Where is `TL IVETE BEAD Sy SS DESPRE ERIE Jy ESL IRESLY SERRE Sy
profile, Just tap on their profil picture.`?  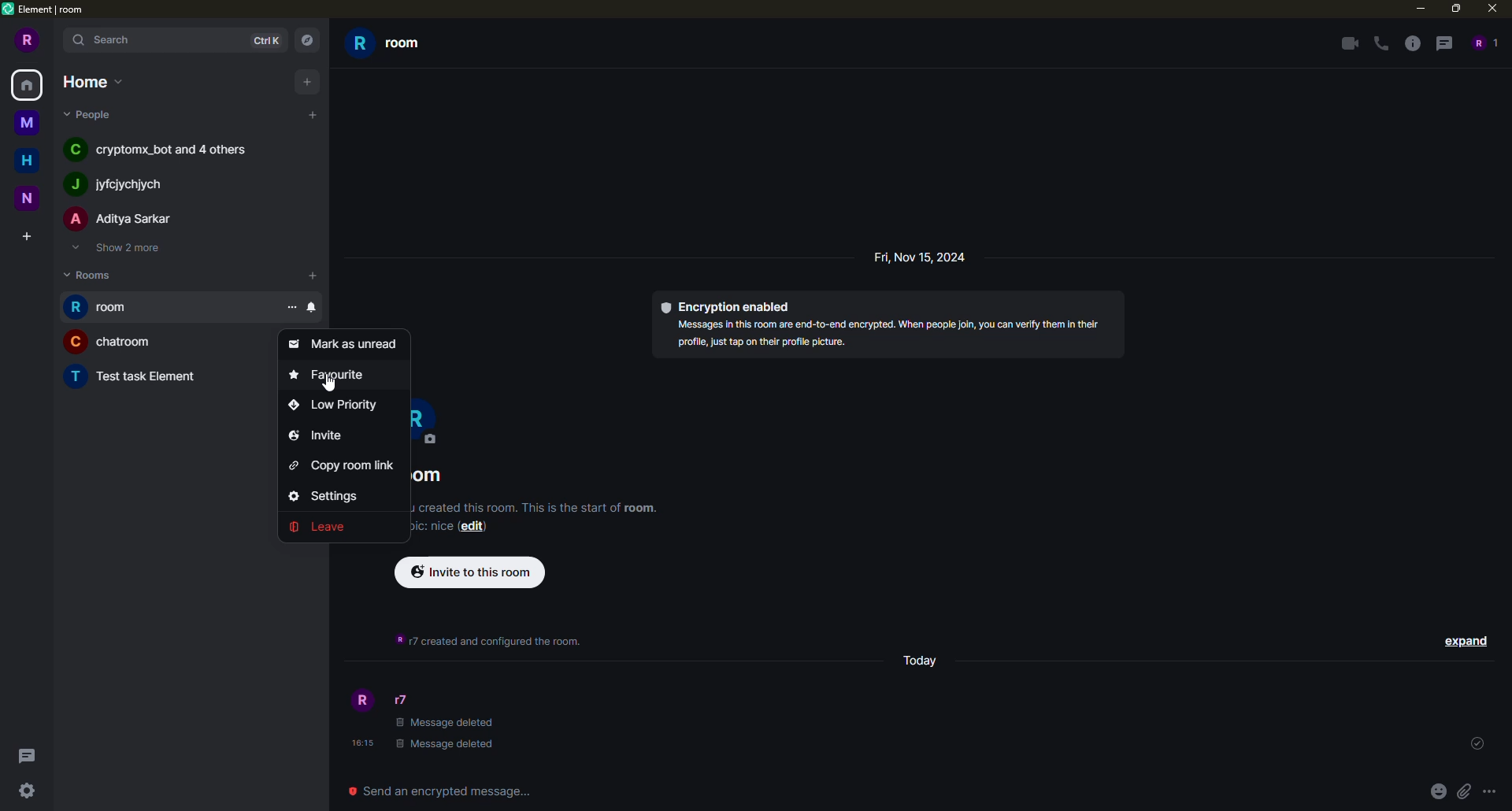 TL IVETE BEAD Sy SS DESPRE ERIE Jy ESL IRESLY SERRE Sy
profile, Just tap on their profil picture. is located at coordinates (881, 338).